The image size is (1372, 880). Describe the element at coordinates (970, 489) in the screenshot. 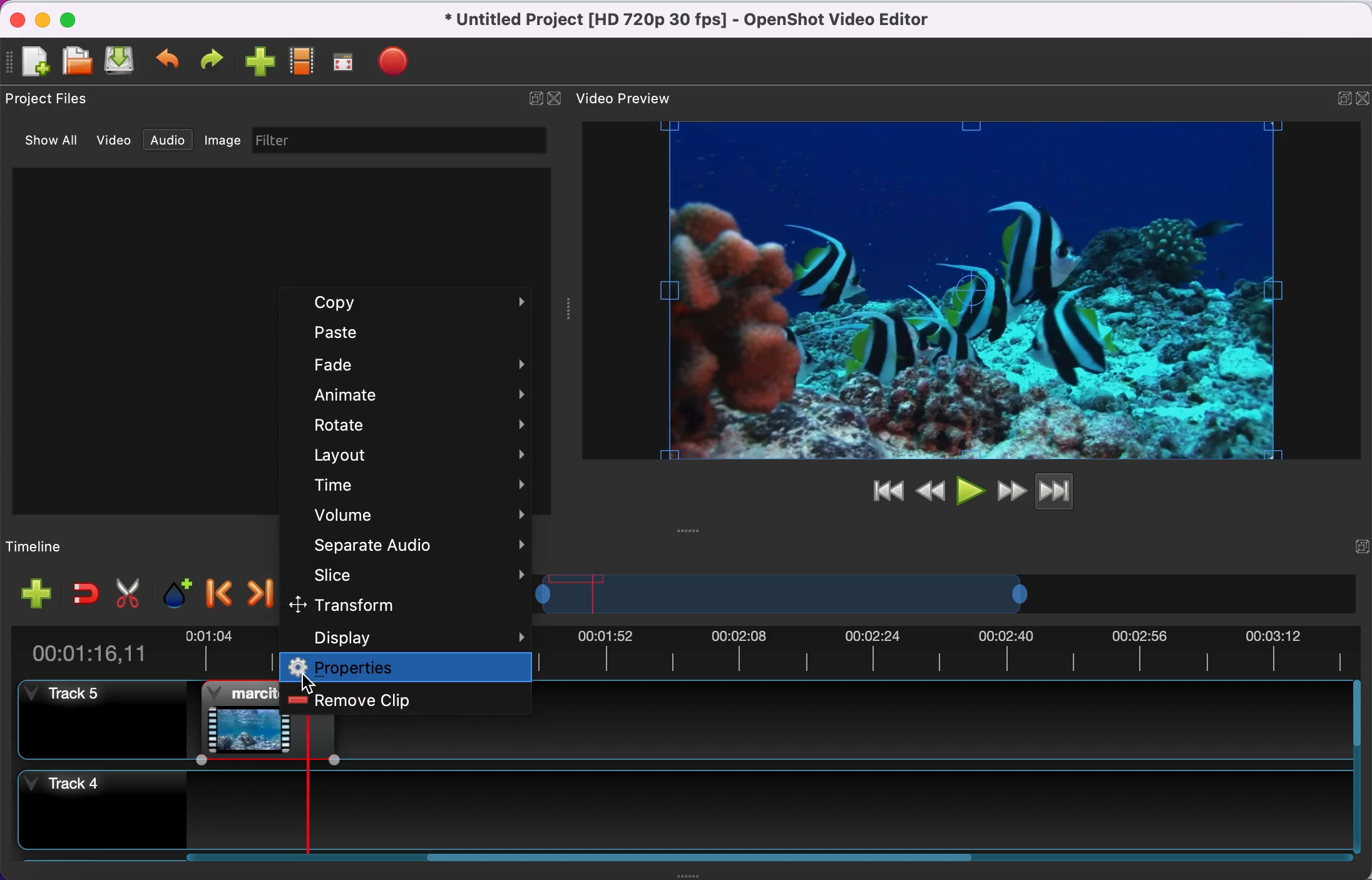

I see `play` at that location.